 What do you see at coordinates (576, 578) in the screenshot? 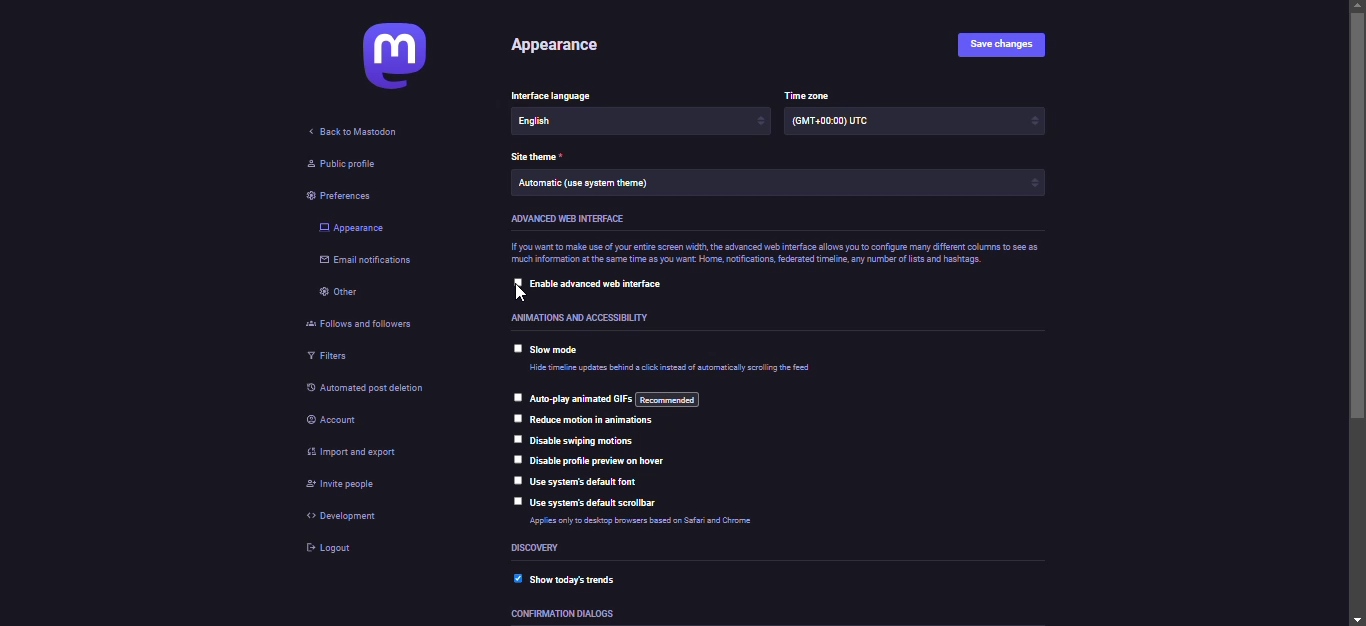
I see `show today's trends` at bounding box center [576, 578].